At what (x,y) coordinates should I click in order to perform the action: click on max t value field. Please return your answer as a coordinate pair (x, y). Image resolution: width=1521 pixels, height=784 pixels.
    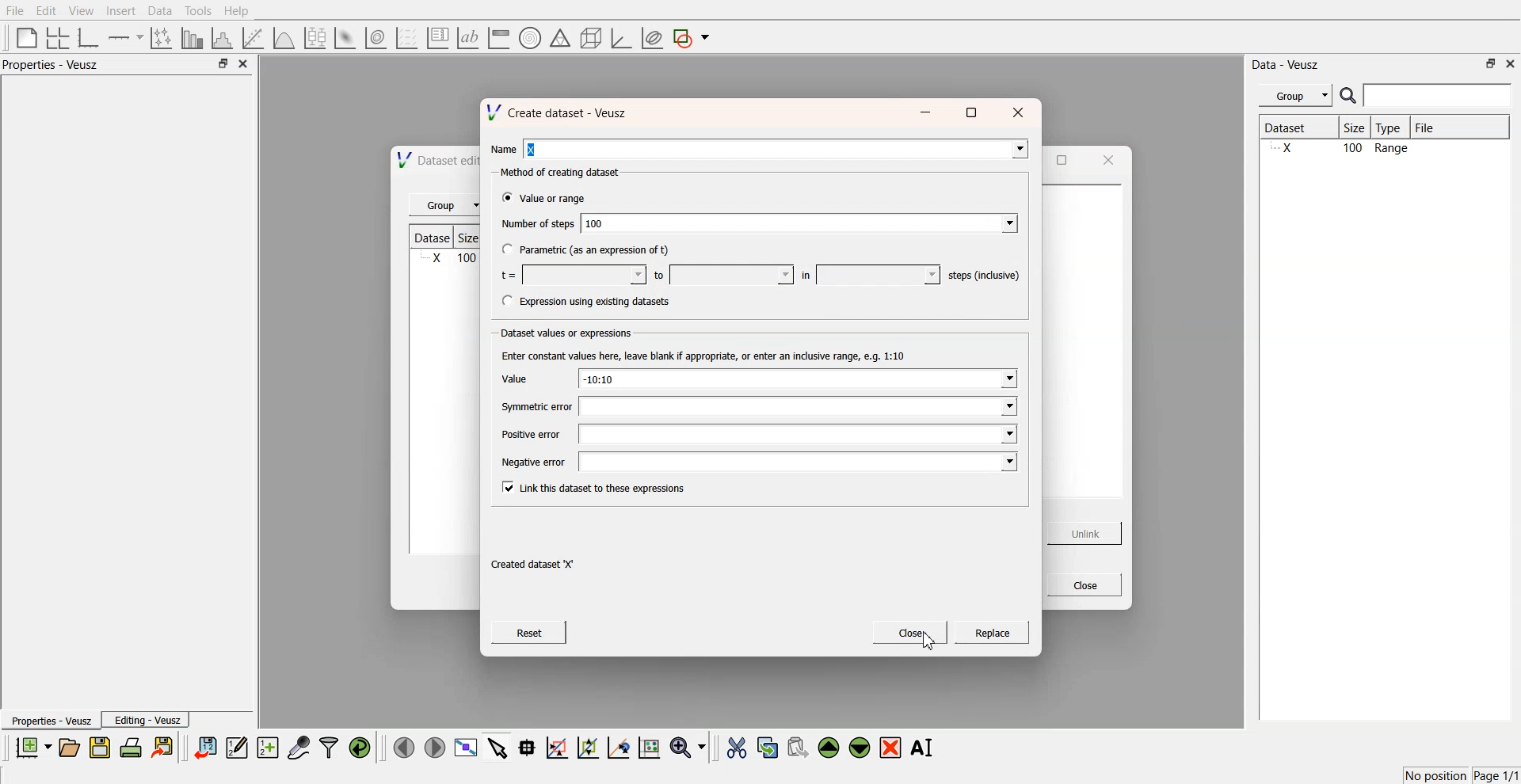
    Looking at the image, I should click on (732, 275).